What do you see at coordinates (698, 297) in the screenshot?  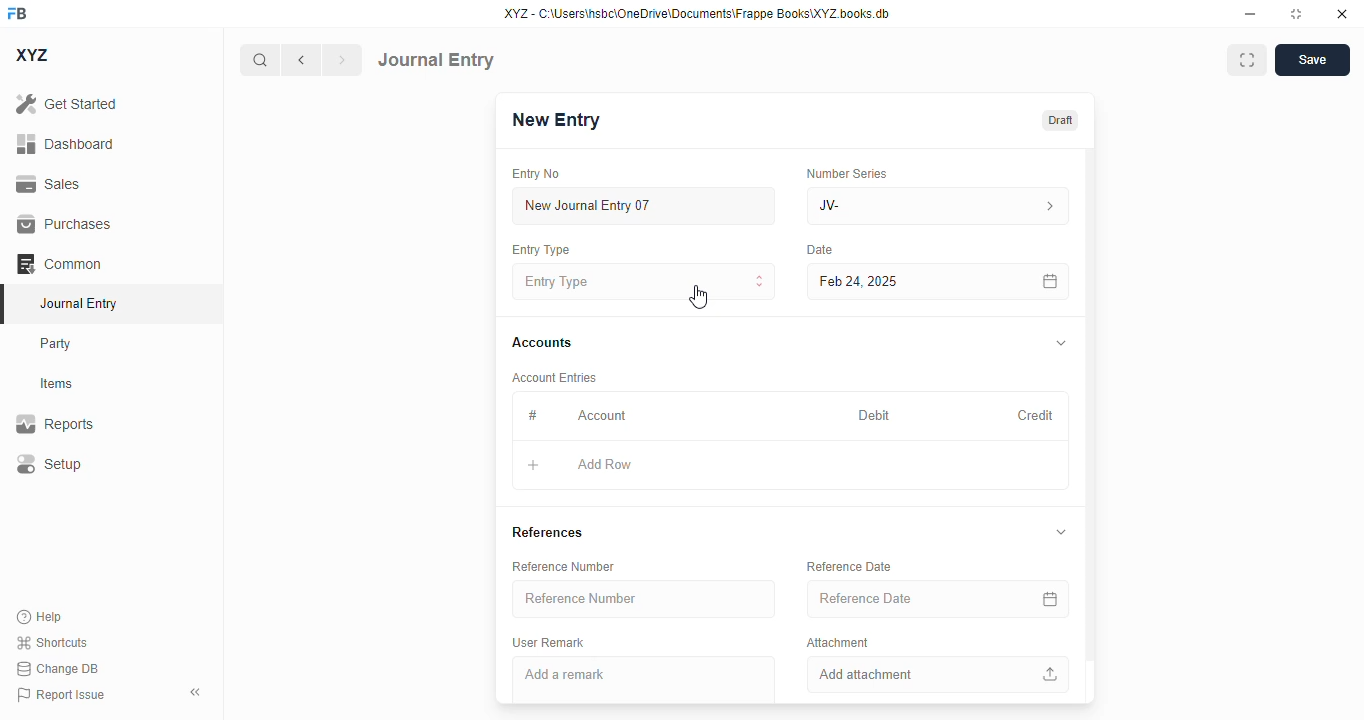 I see `cursor` at bounding box center [698, 297].